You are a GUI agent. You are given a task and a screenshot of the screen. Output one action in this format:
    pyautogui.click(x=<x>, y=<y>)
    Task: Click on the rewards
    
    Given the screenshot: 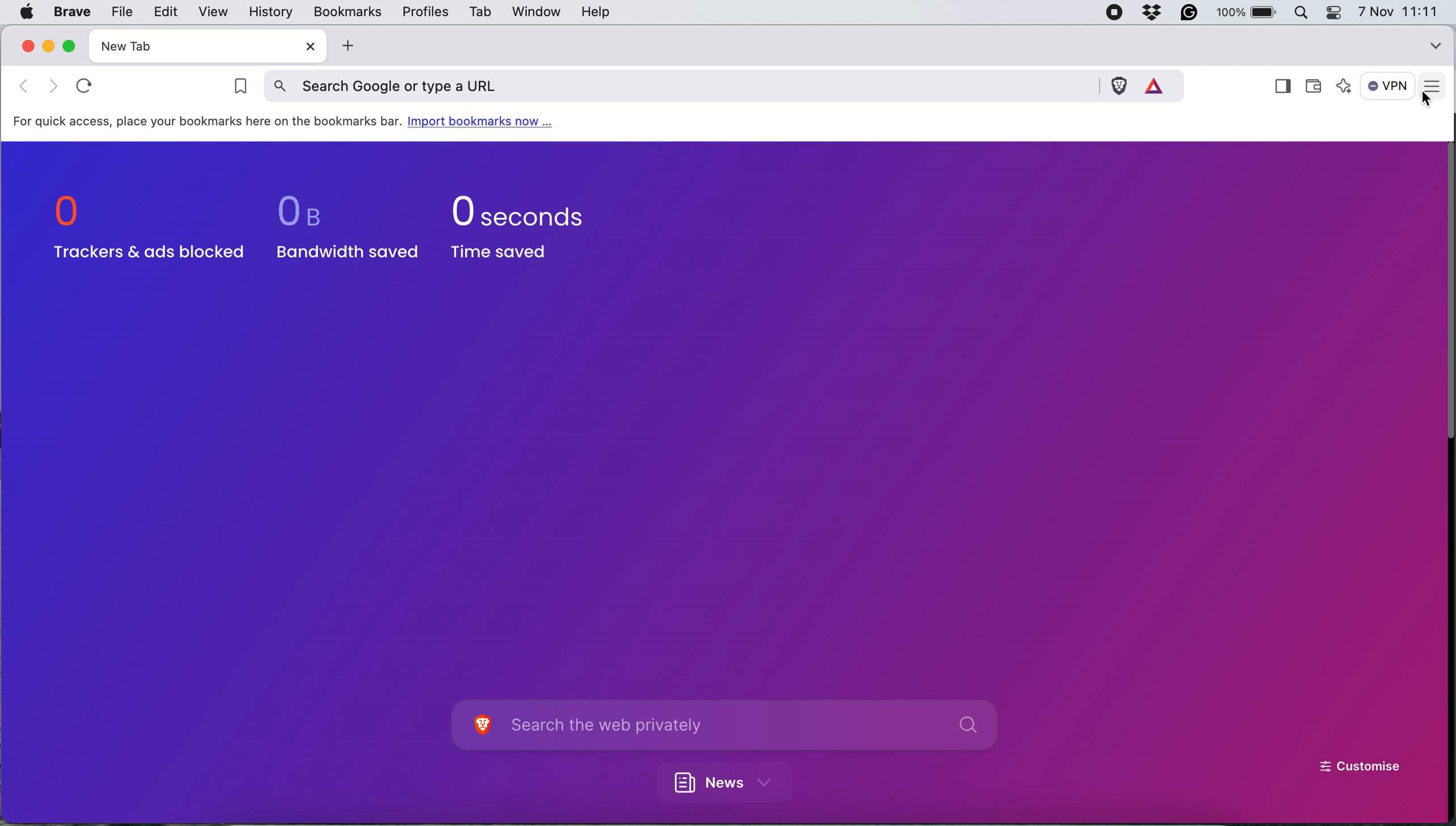 What is the action you would take?
    pyautogui.click(x=1160, y=84)
    